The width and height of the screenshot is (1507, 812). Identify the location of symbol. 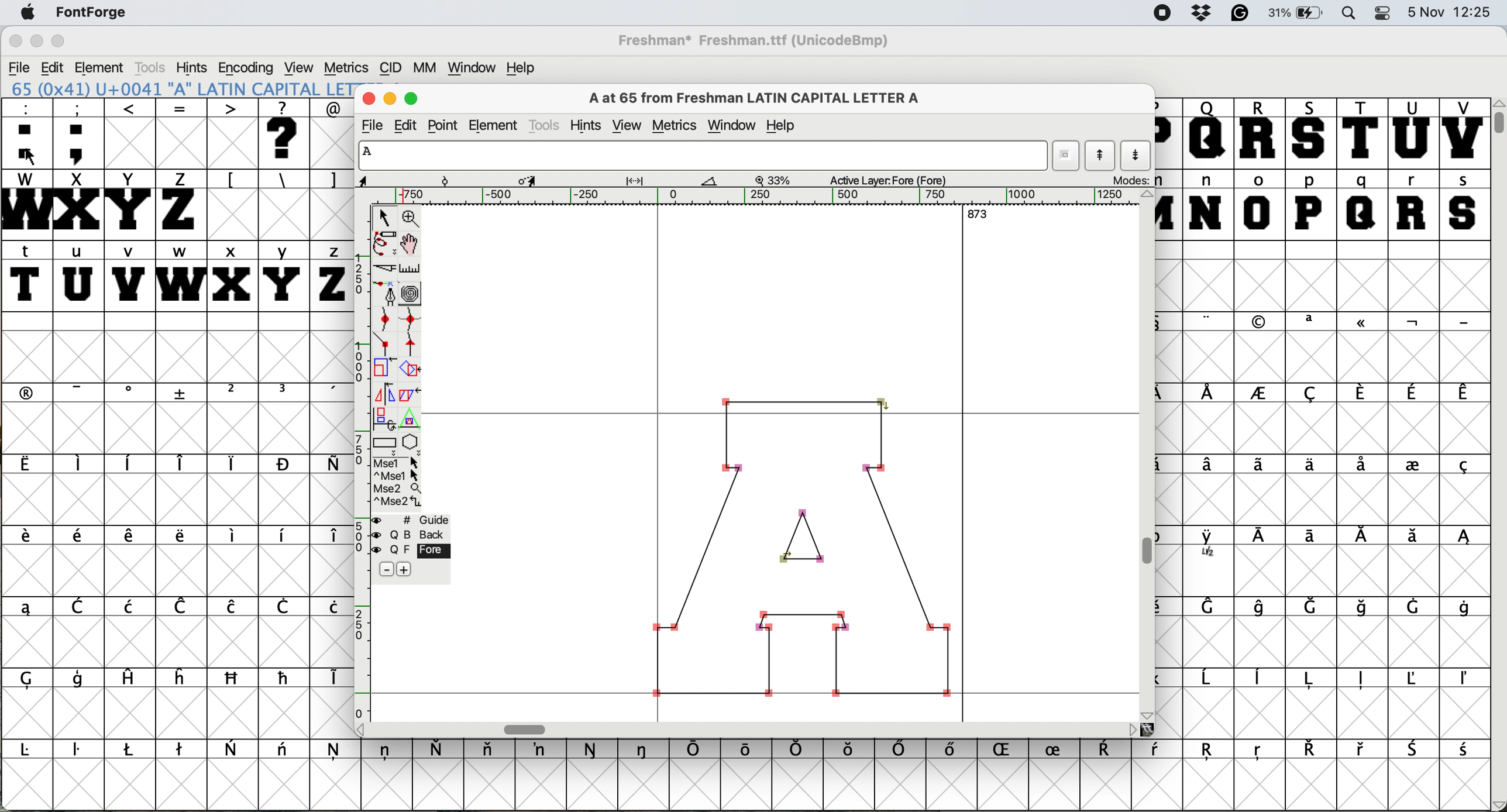
(232, 748).